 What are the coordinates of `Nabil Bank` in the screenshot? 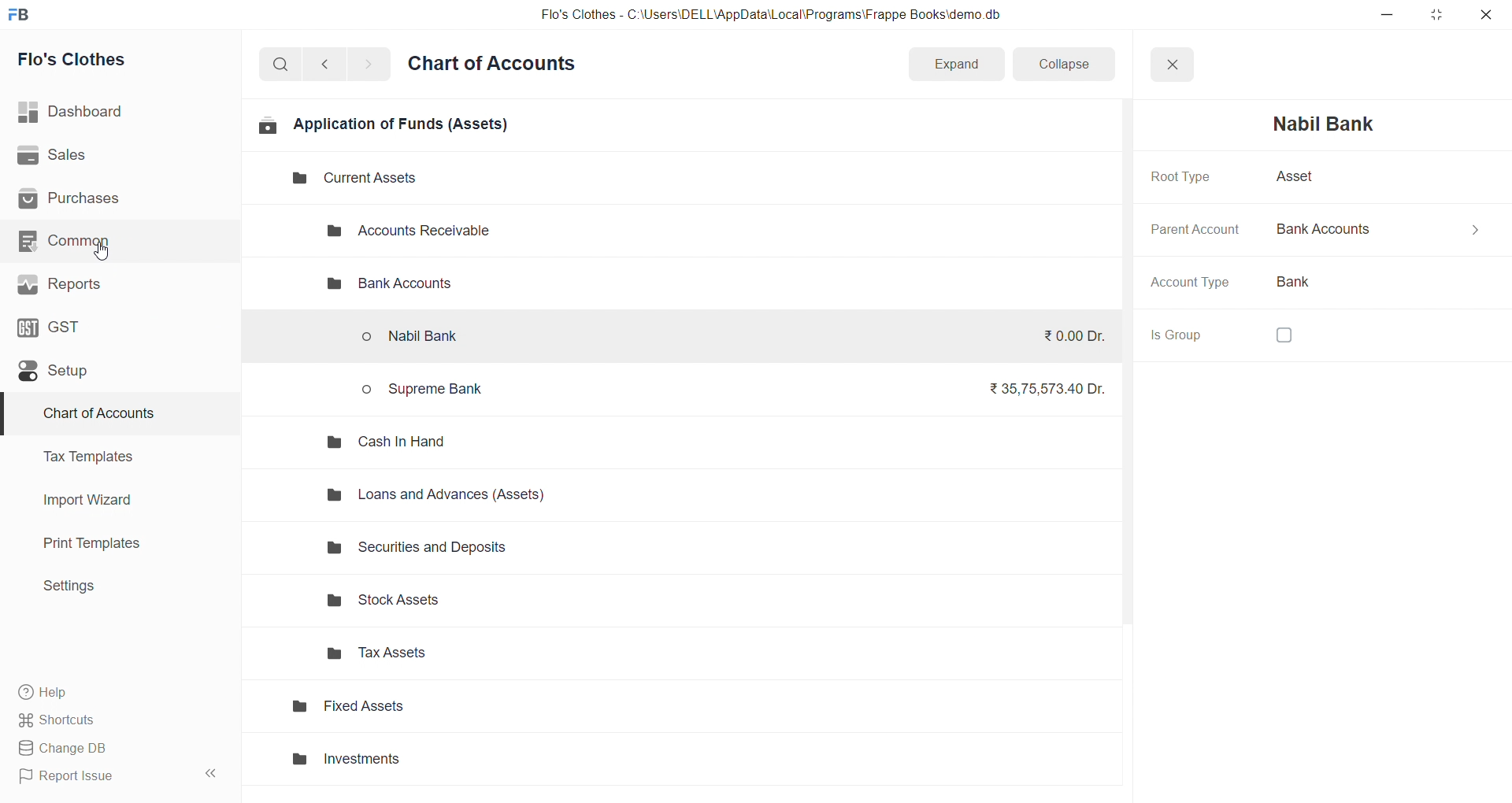 It's located at (424, 339).